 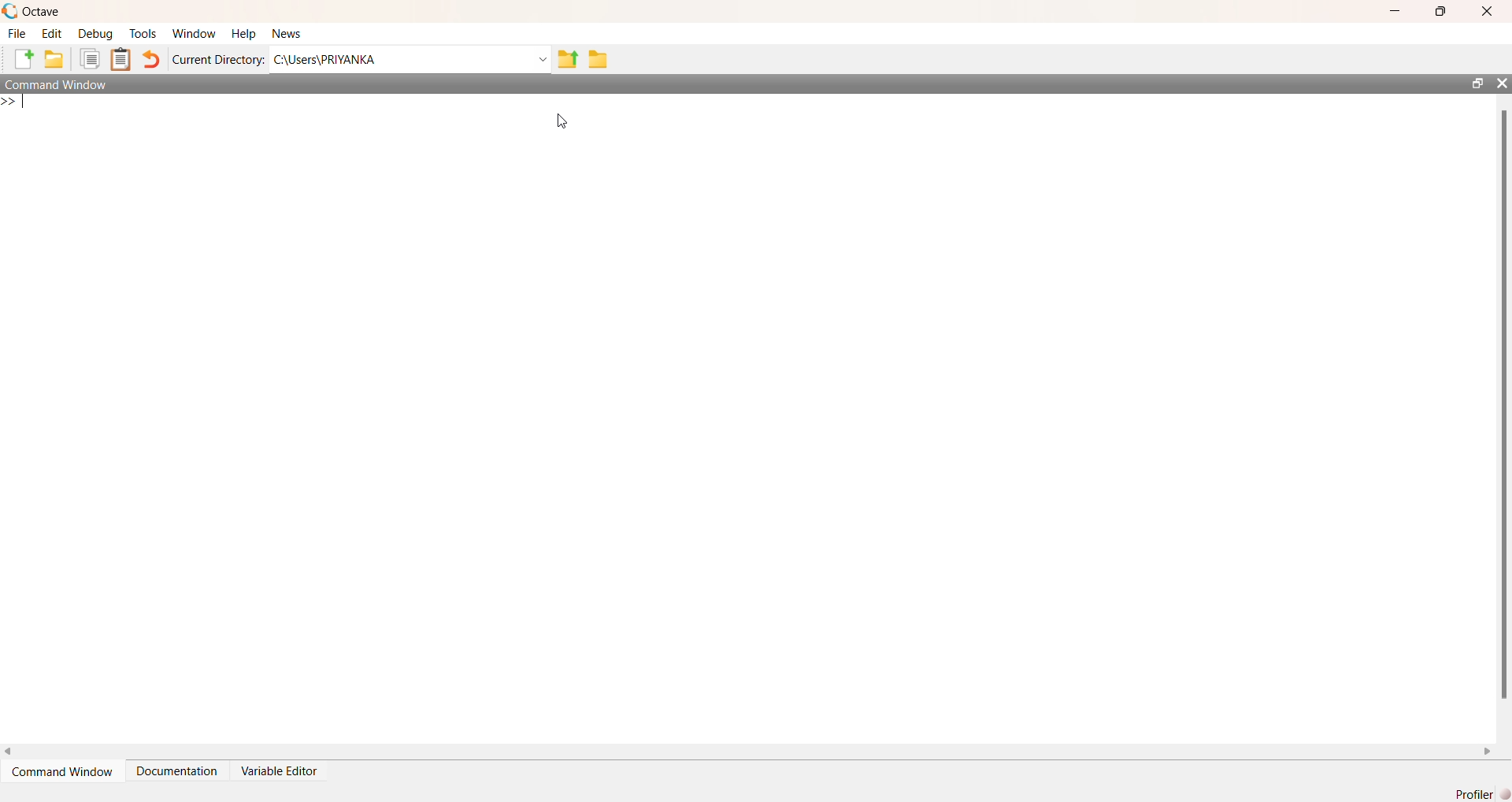 What do you see at coordinates (20, 61) in the screenshot?
I see `new script` at bounding box center [20, 61].